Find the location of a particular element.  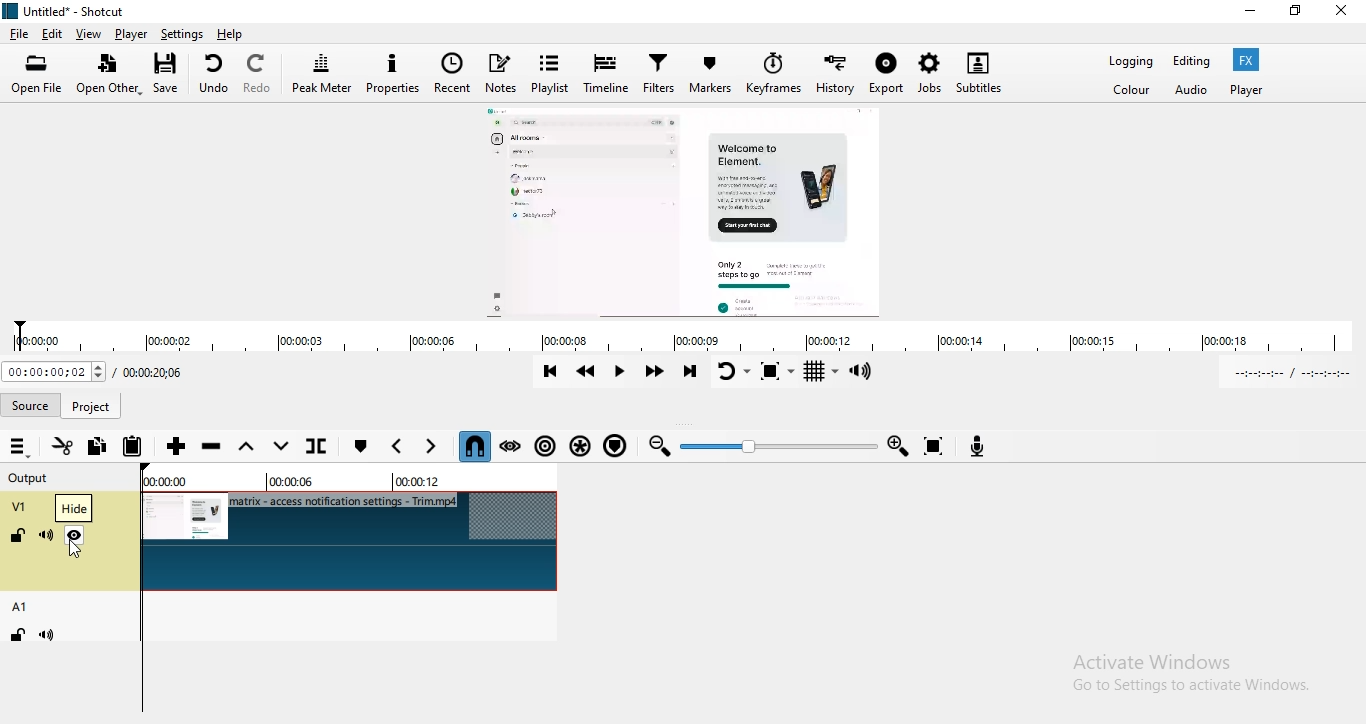

Time markers is located at coordinates (340, 481).